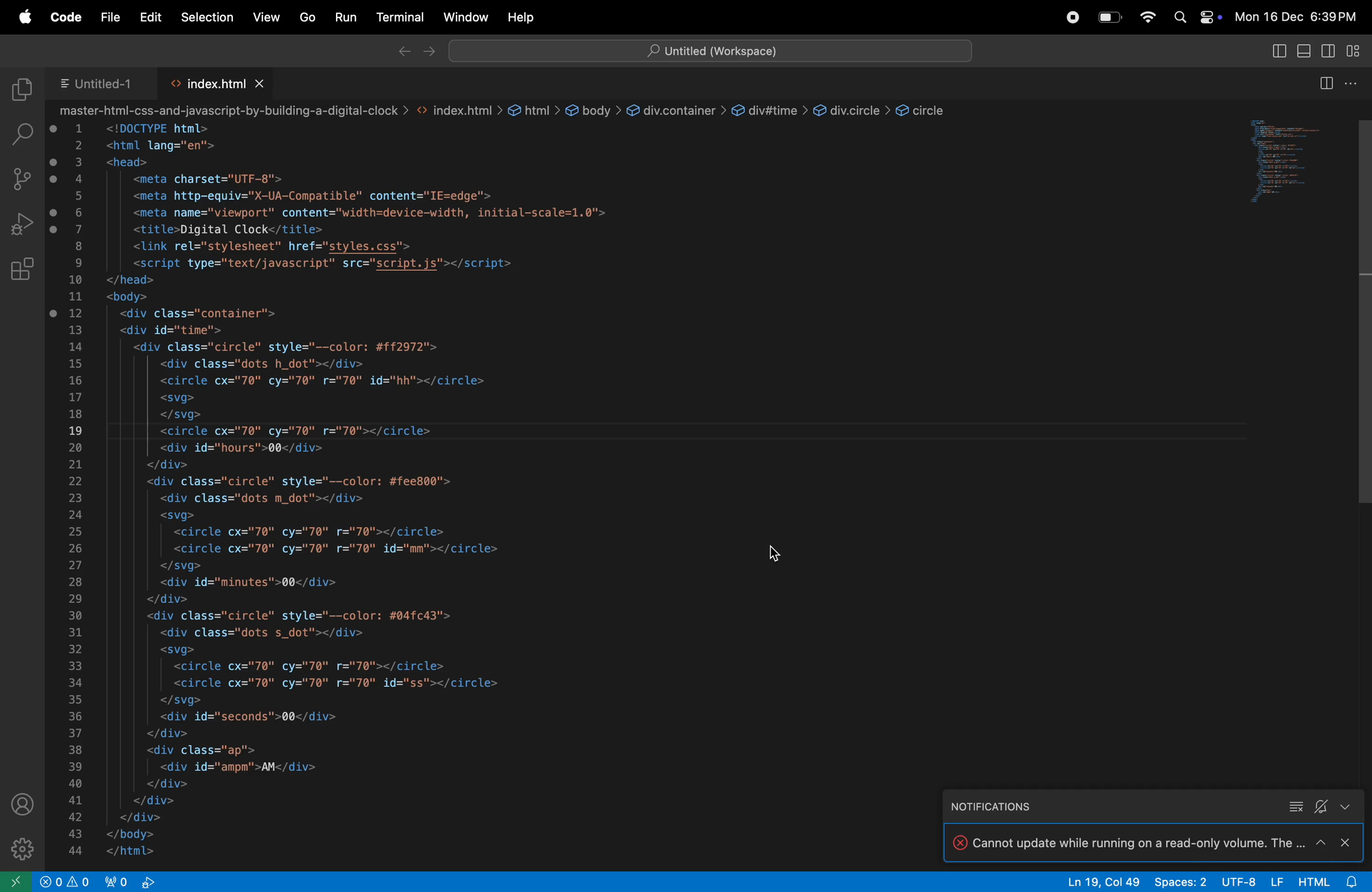 This screenshot has height=892, width=1372. I want to click on code, so click(64, 18).